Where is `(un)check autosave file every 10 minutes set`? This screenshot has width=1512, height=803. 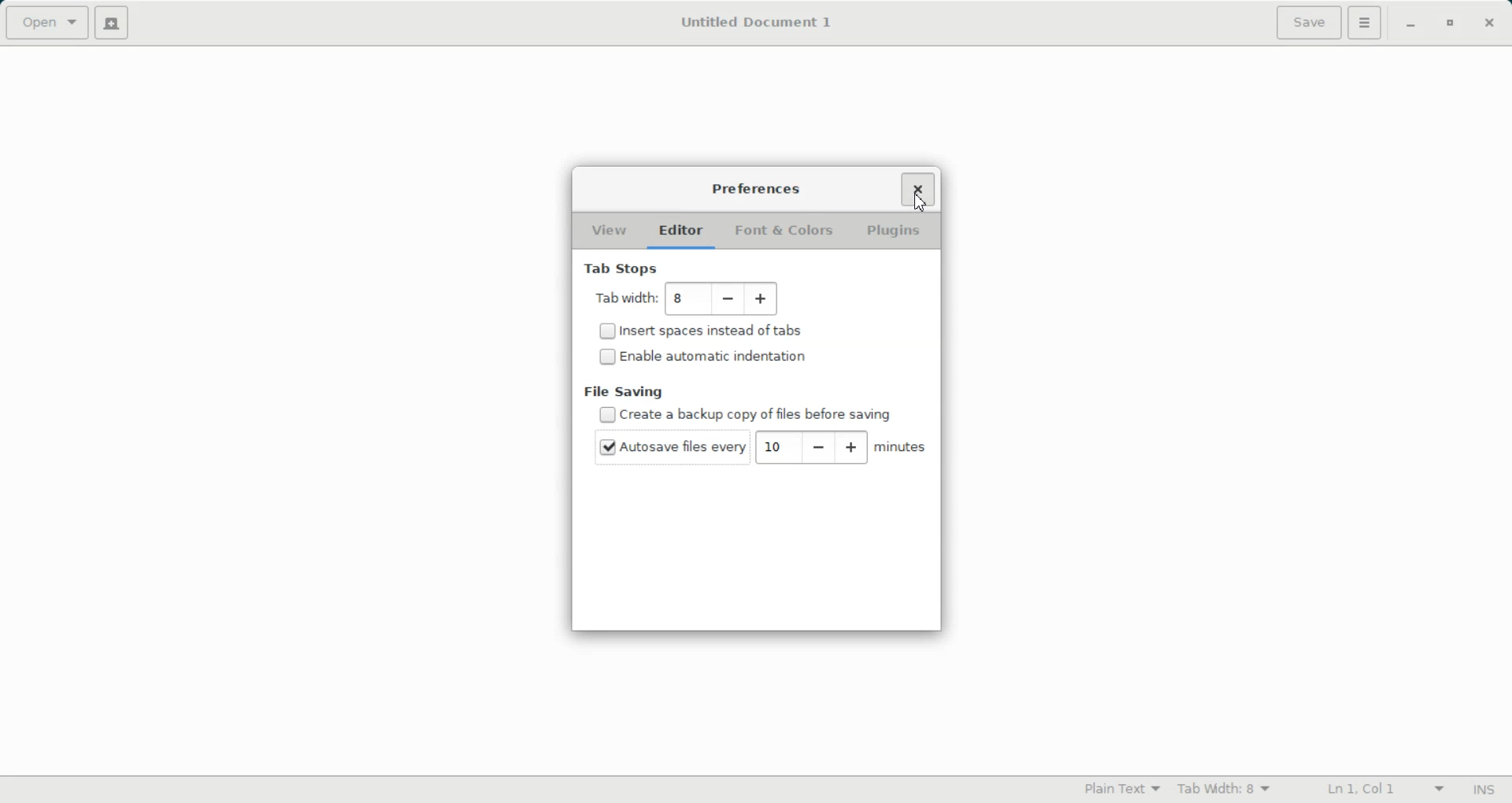
(un)check autosave file every 10 minutes set is located at coordinates (669, 446).